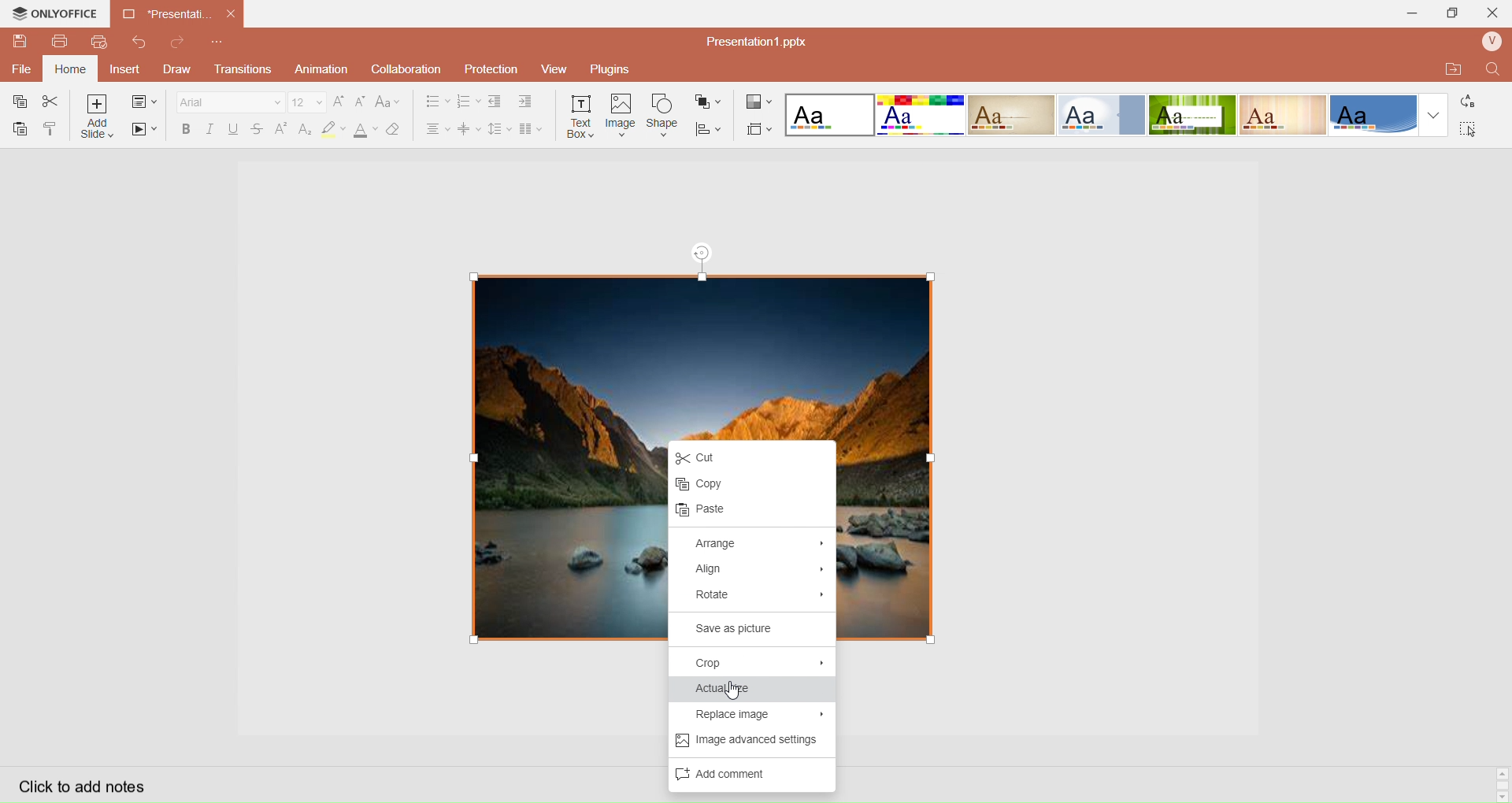 This screenshot has height=803, width=1512. What do you see at coordinates (577, 116) in the screenshot?
I see `Insert Text Box` at bounding box center [577, 116].